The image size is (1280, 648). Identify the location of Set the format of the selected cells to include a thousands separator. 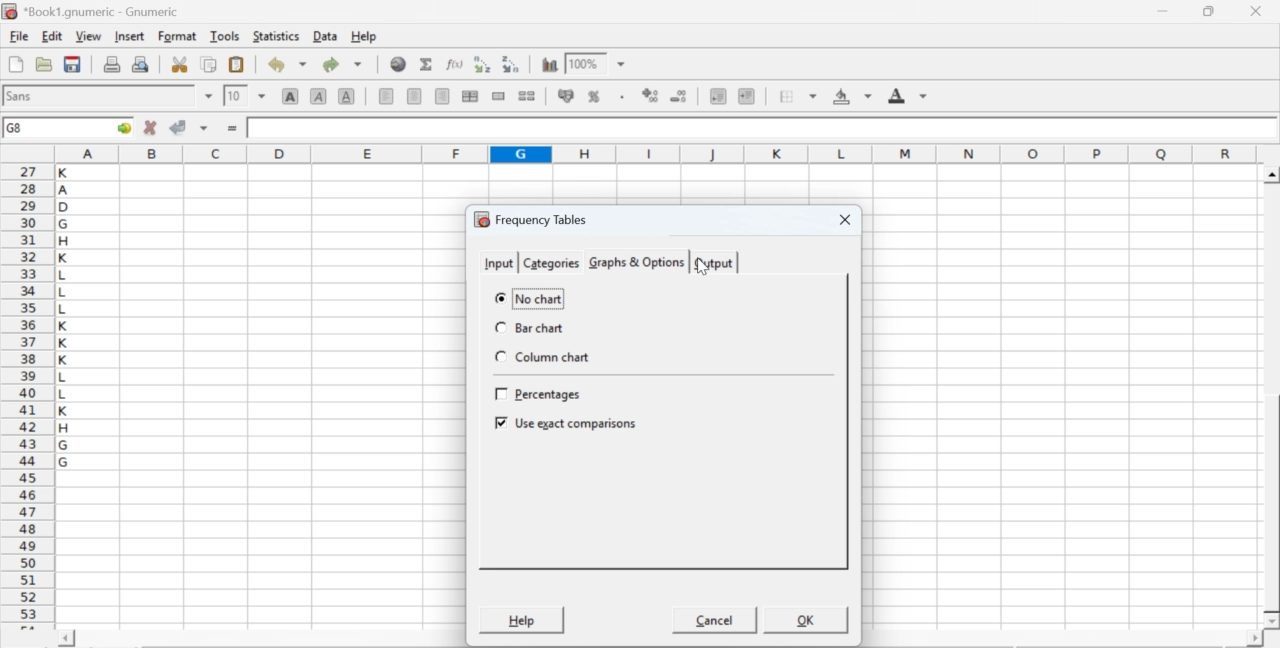
(620, 97).